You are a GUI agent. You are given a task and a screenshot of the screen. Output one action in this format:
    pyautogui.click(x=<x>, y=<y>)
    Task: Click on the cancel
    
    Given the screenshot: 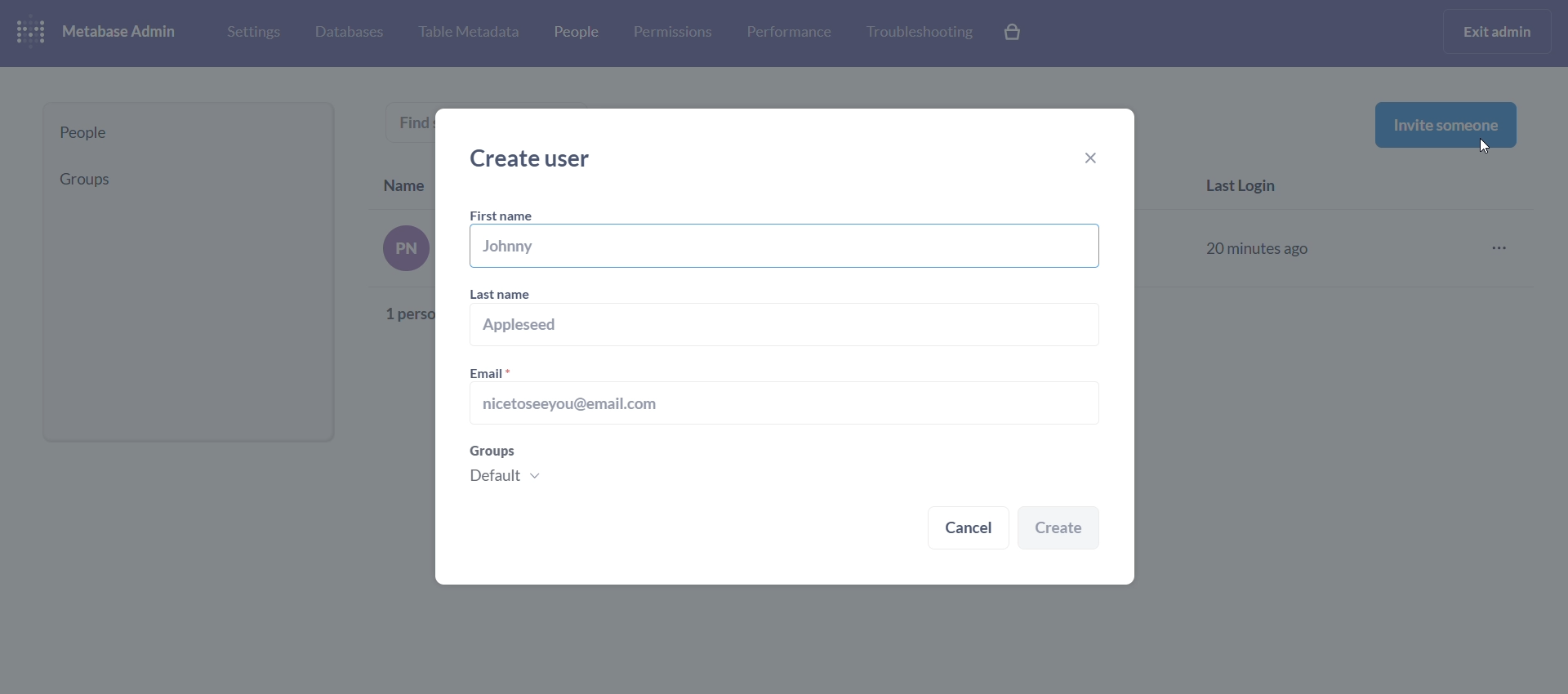 What is the action you would take?
    pyautogui.click(x=969, y=530)
    